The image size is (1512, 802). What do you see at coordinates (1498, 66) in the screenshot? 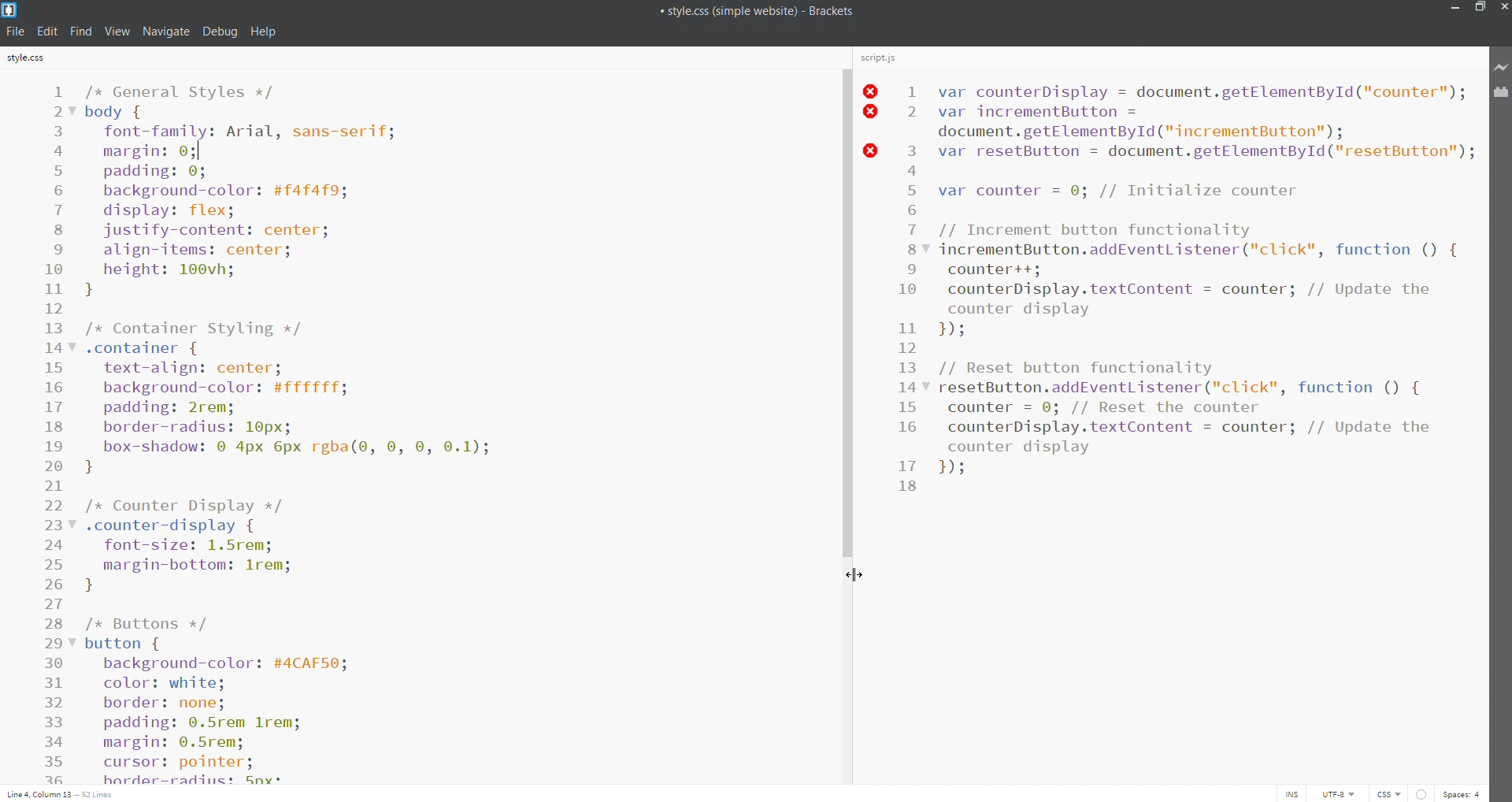
I see `live preview` at bounding box center [1498, 66].